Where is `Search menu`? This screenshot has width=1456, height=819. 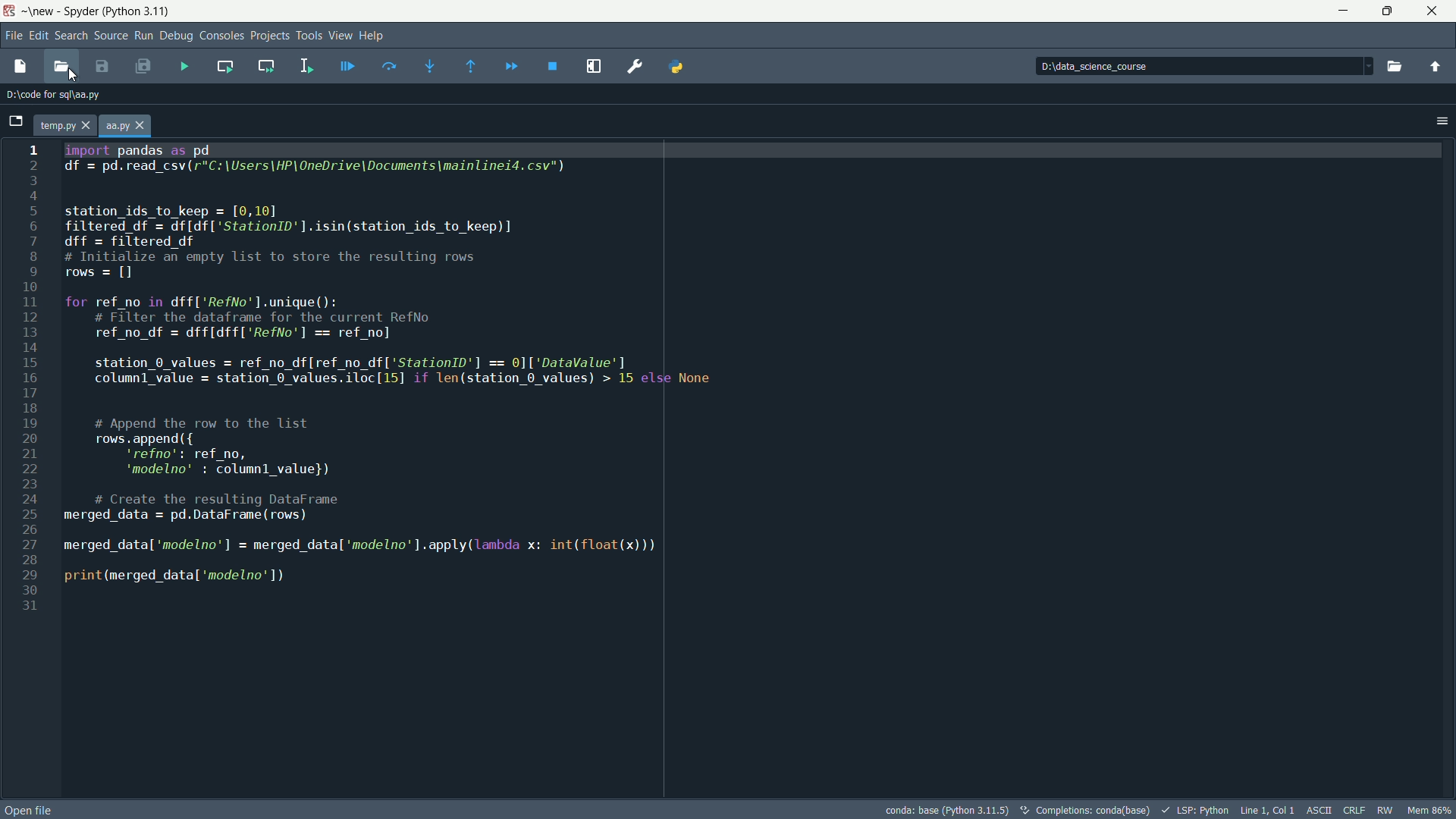
Search menu is located at coordinates (71, 36).